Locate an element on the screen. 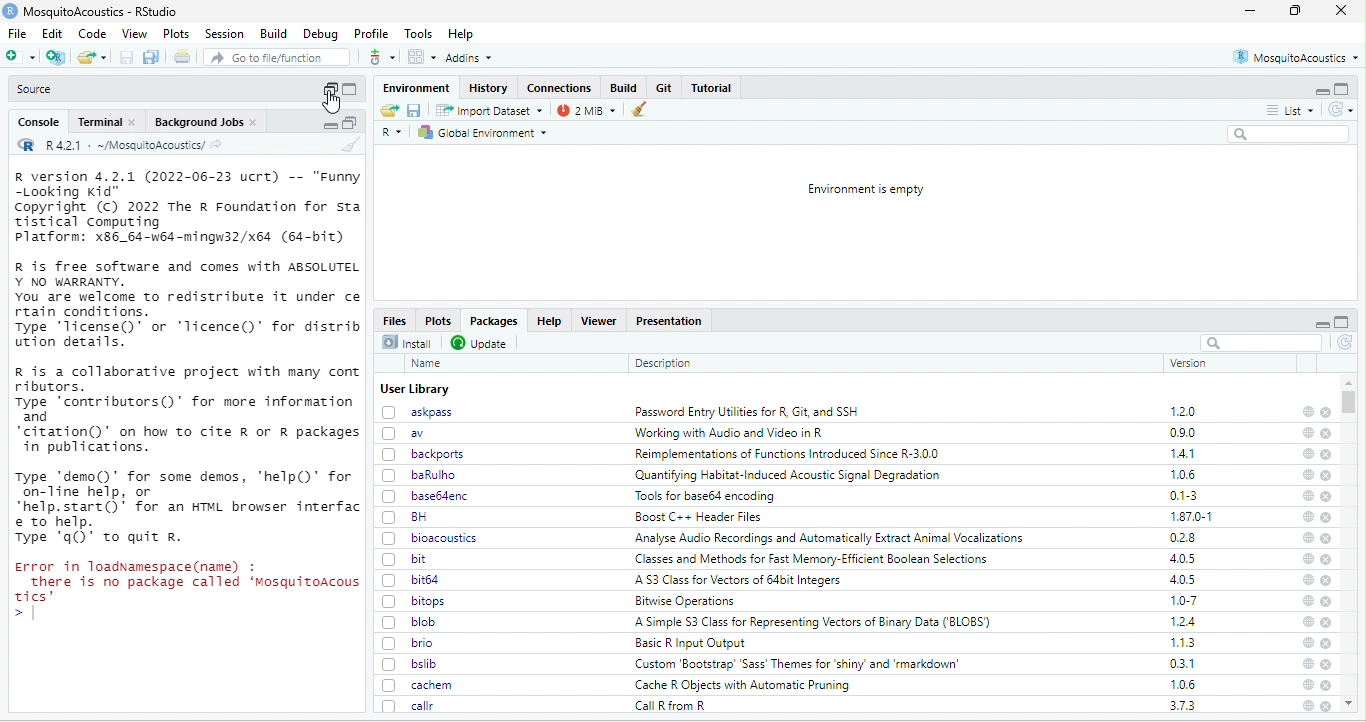 This screenshot has height=722, width=1366. Help is located at coordinates (549, 321).